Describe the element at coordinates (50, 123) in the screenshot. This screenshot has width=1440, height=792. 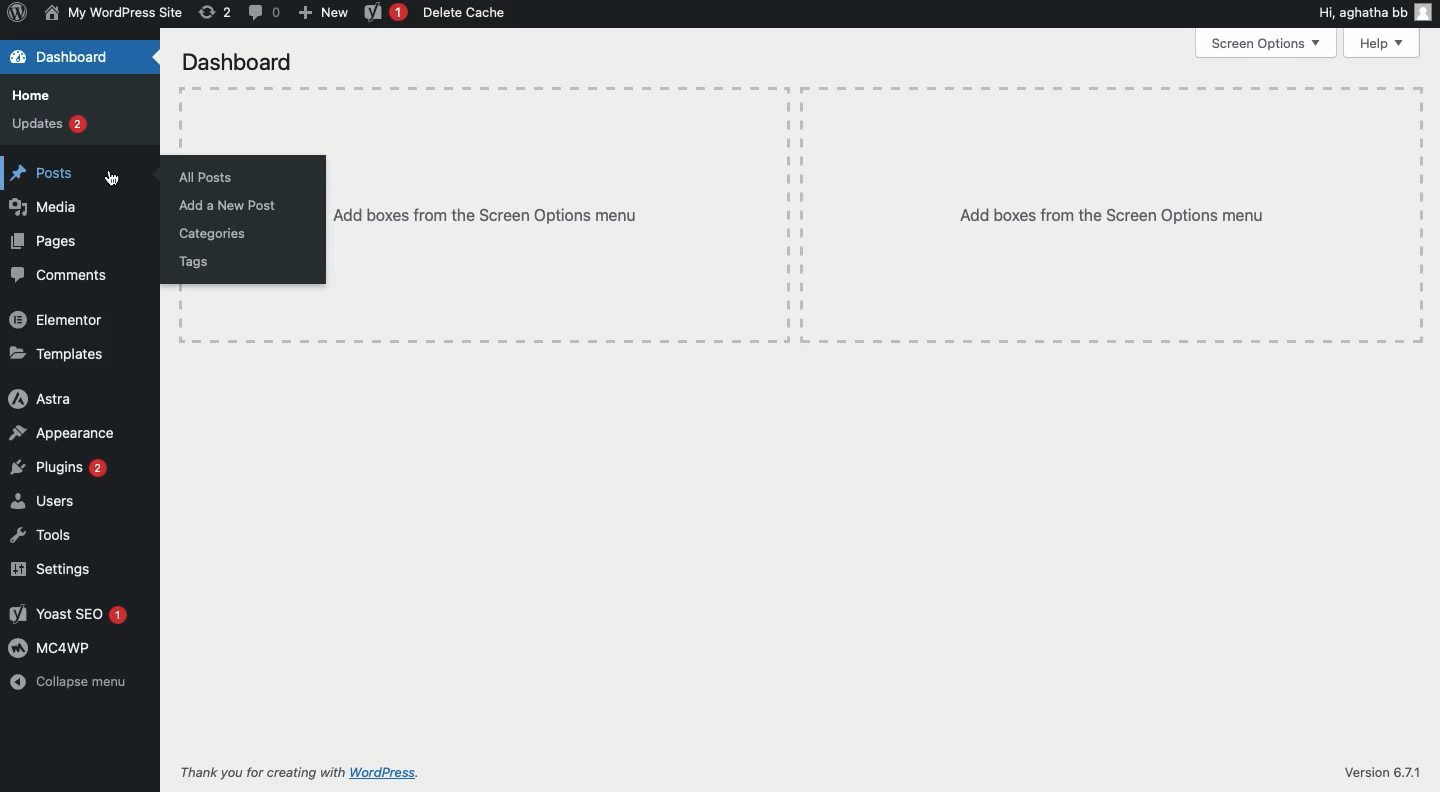
I see `Updates` at that location.